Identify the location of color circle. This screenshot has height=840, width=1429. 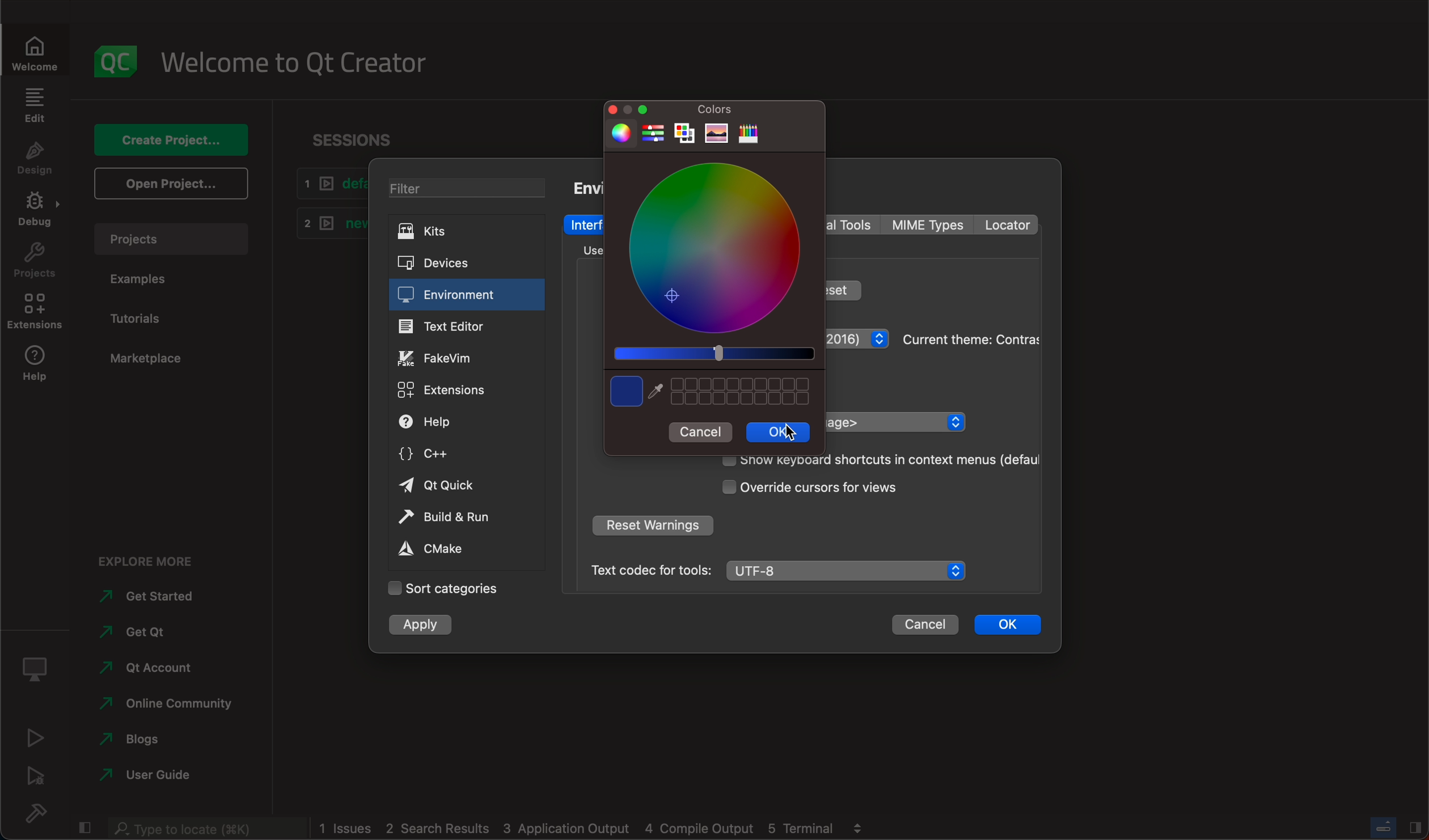
(618, 133).